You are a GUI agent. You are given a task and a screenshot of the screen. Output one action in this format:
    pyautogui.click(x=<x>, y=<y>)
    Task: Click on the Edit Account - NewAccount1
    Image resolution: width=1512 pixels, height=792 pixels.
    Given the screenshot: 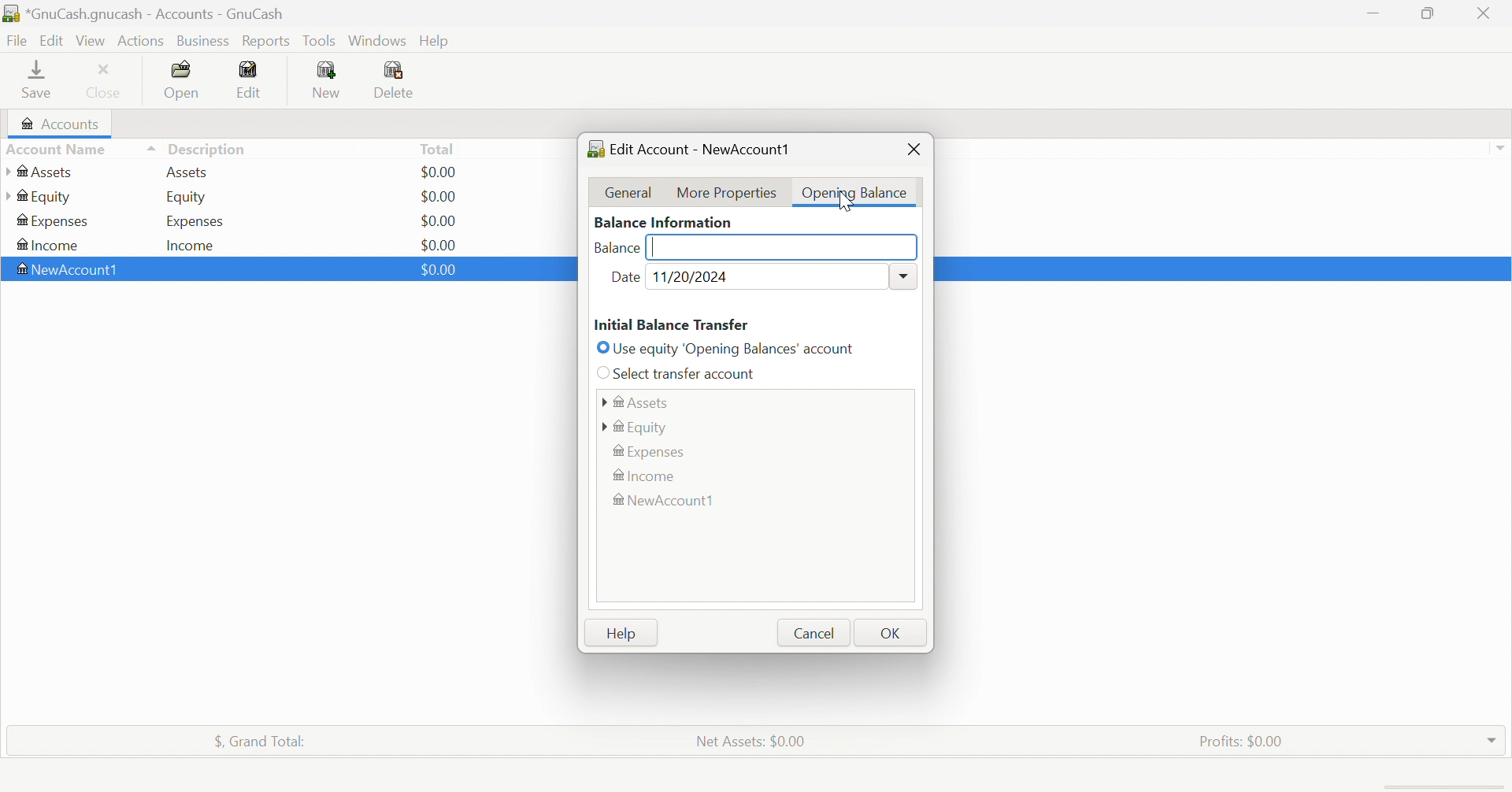 What is the action you would take?
    pyautogui.click(x=690, y=148)
    